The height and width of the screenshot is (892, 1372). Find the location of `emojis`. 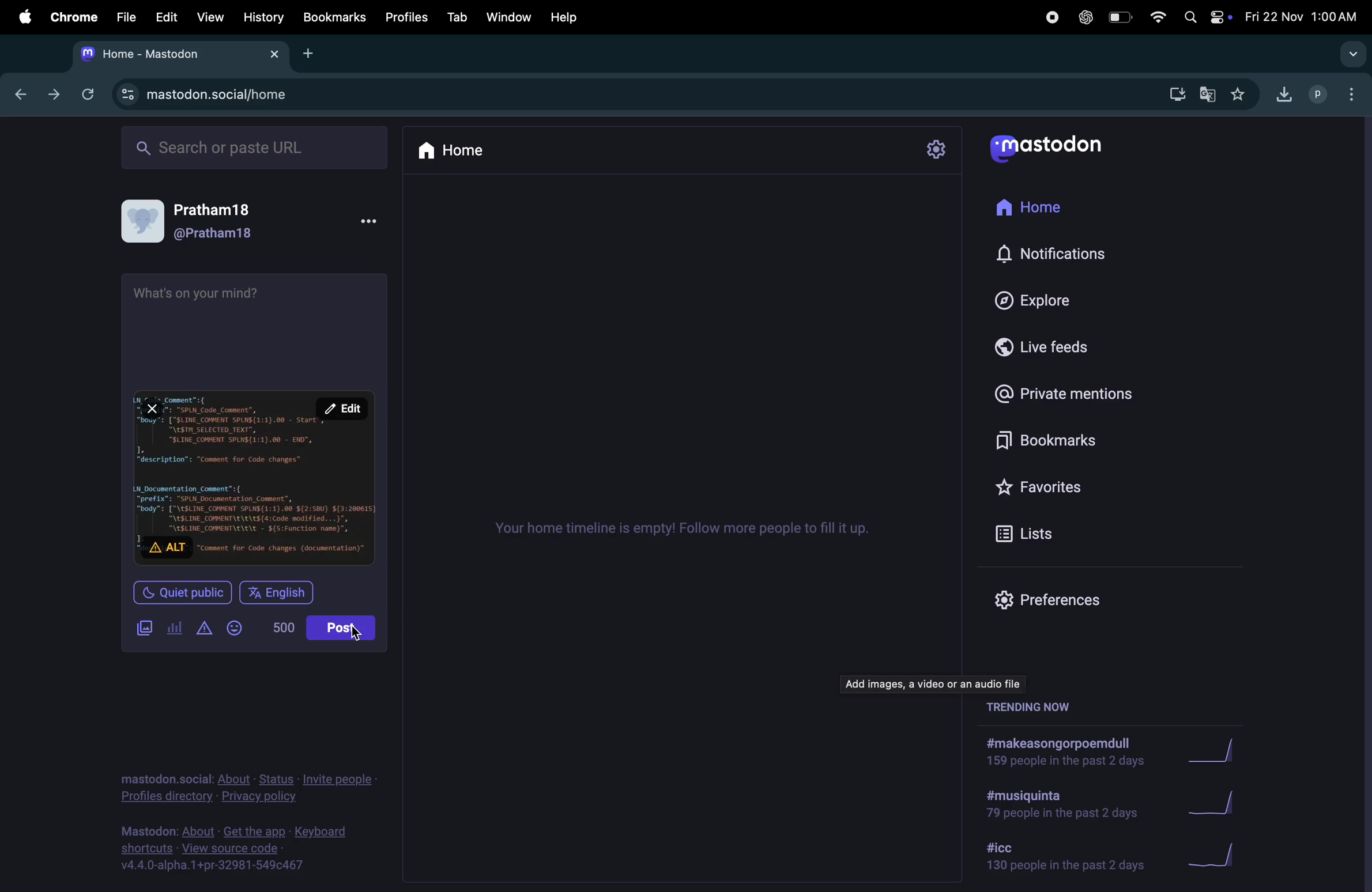

emojis is located at coordinates (238, 631).